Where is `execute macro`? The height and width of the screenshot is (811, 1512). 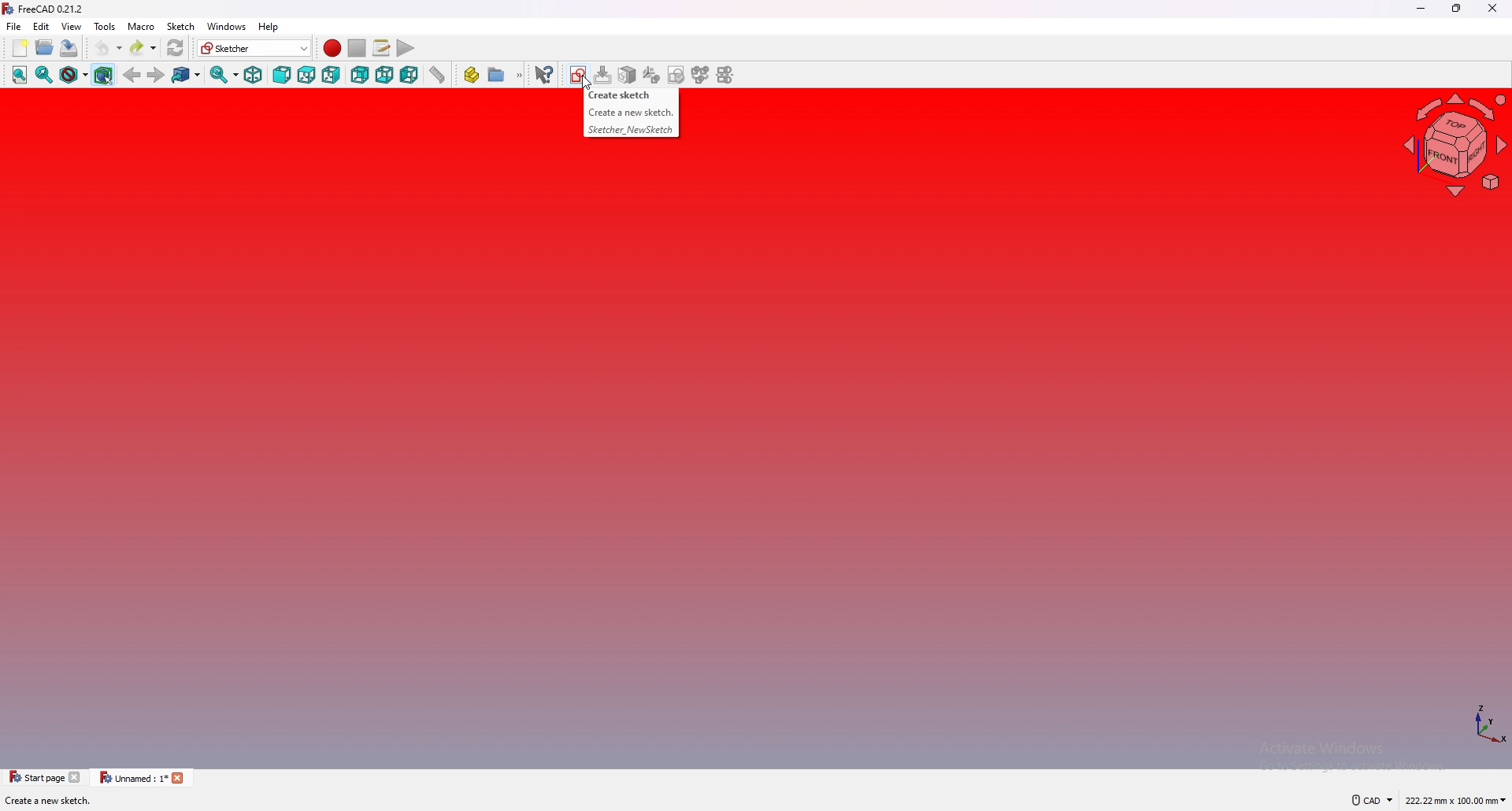 execute macro is located at coordinates (406, 48).